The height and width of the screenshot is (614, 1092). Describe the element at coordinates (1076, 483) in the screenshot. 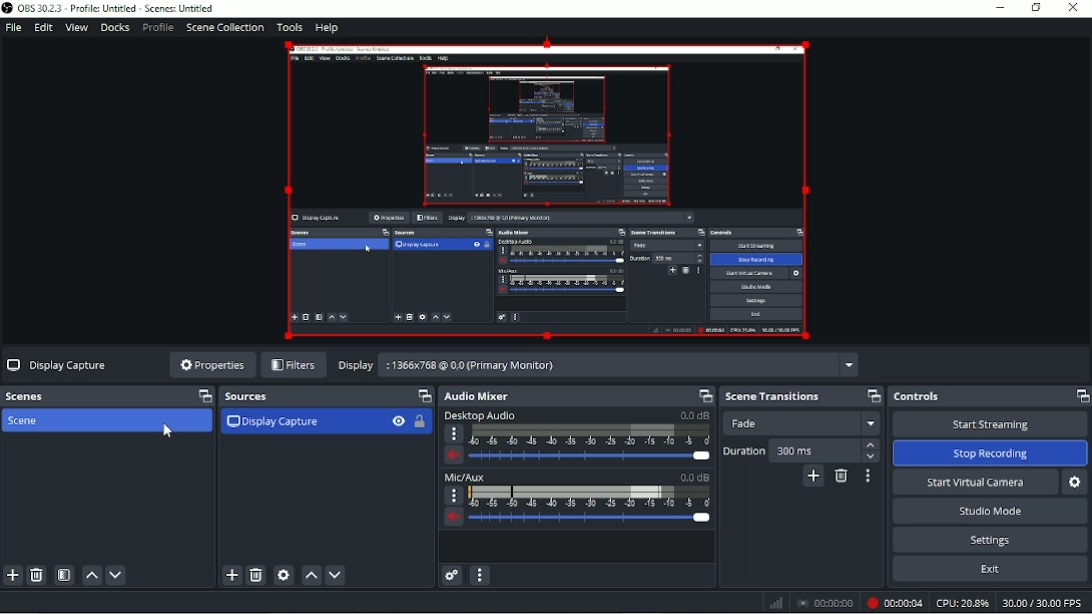

I see `Configure virtual camera` at that location.